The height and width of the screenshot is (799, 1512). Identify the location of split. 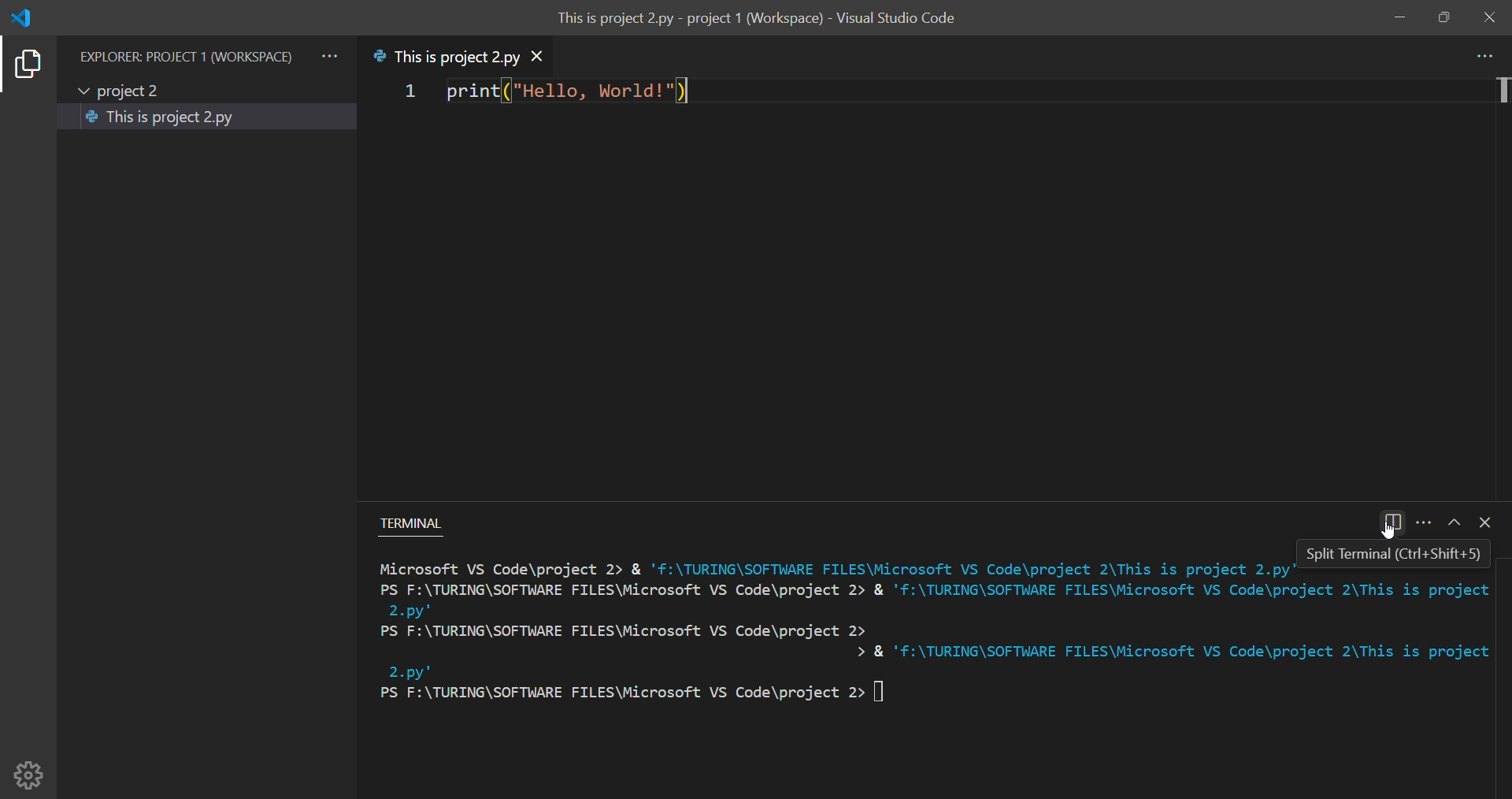
(1395, 521).